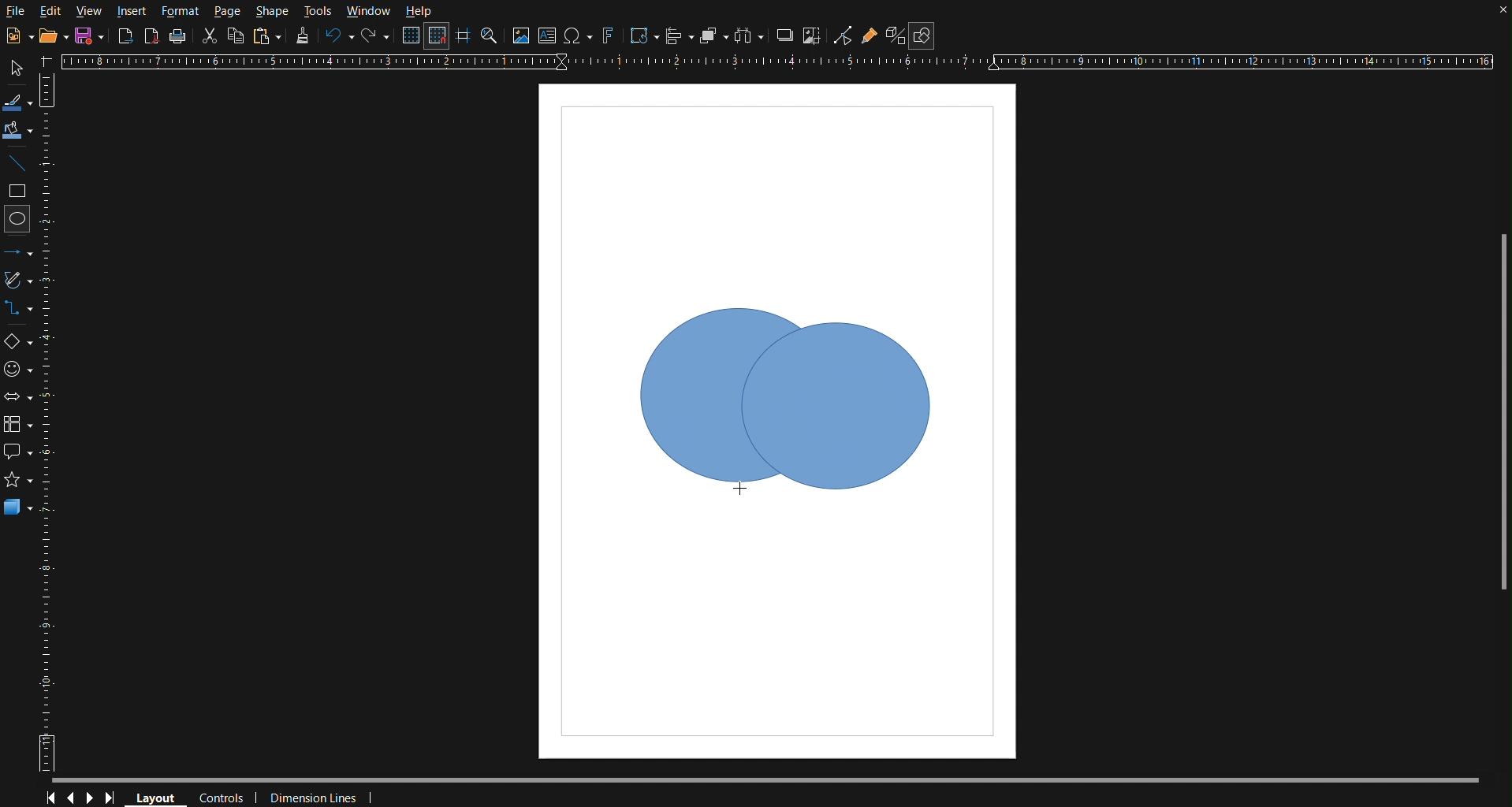  What do you see at coordinates (18, 402) in the screenshot?
I see `Box Arrows` at bounding box center [18, 402].